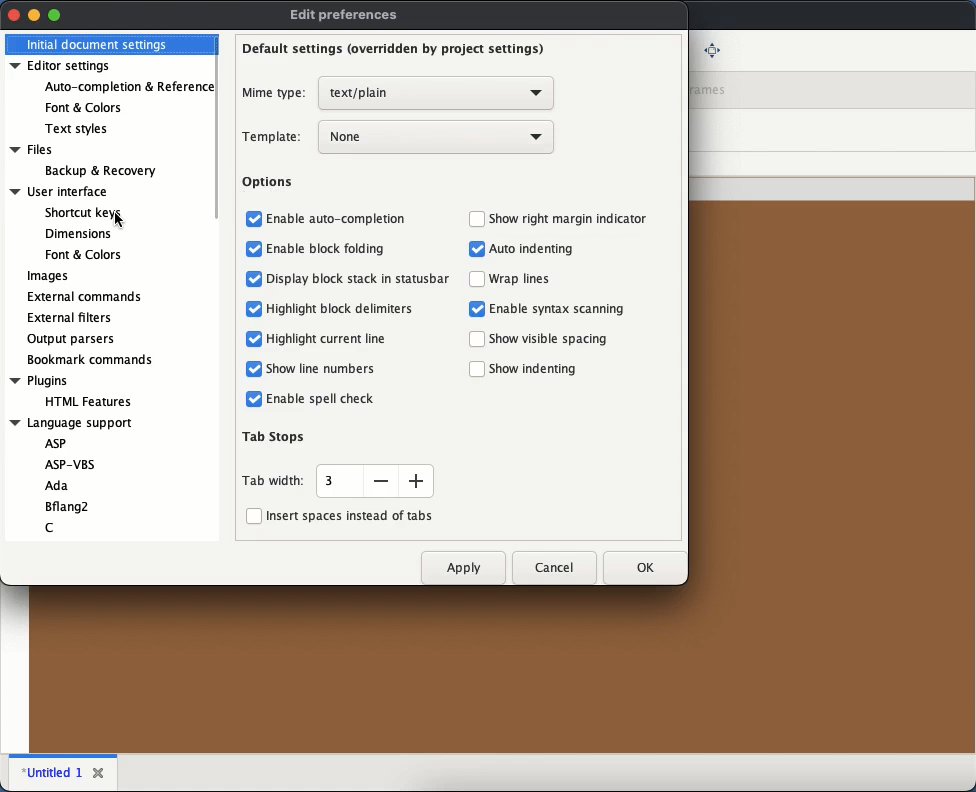  Describe the element at coordinates (60, 191) in the screenshot. I see `user interface` at that location.